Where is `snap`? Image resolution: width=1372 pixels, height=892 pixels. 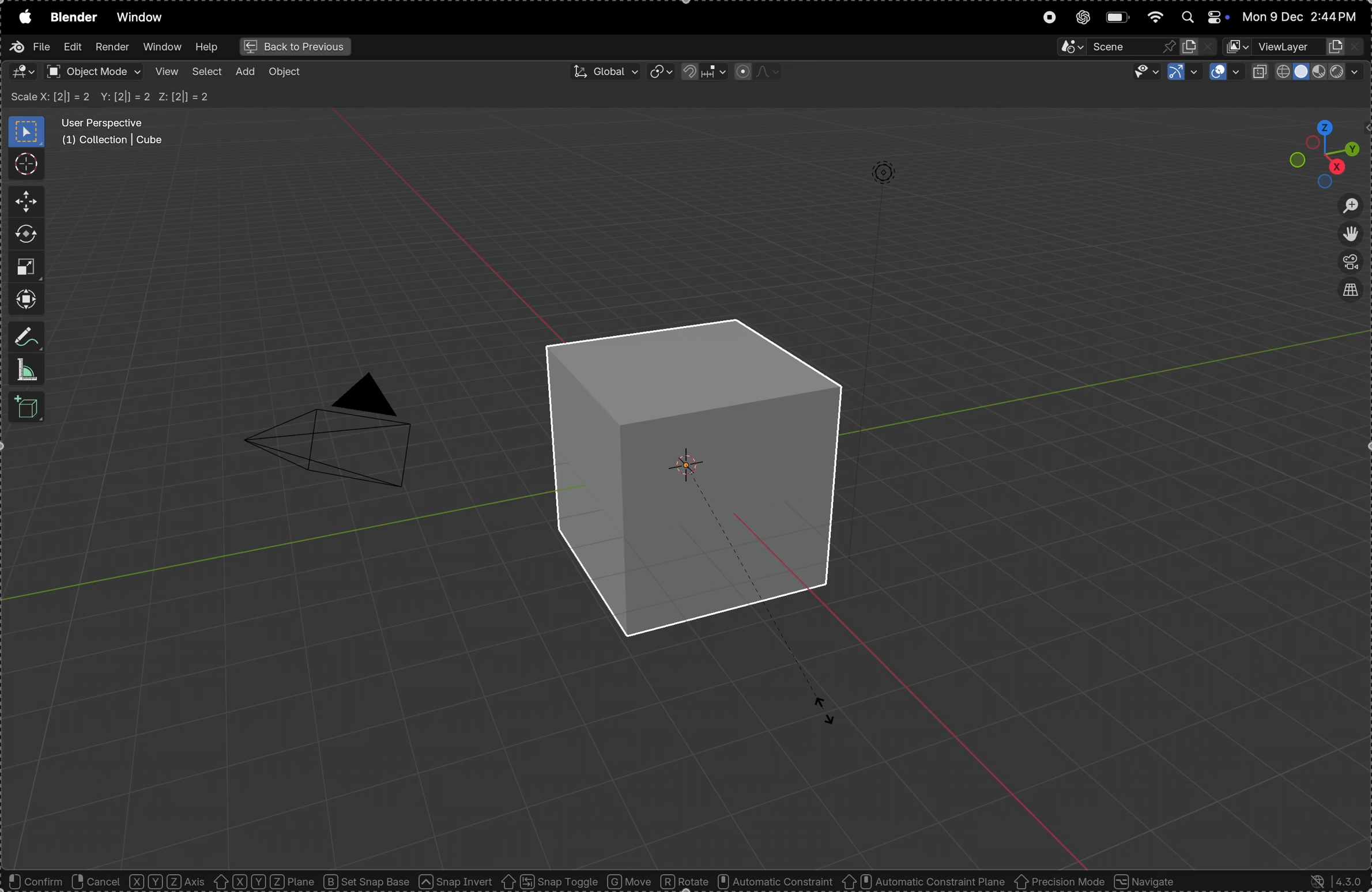
snap is located at coordinates (699, 72).